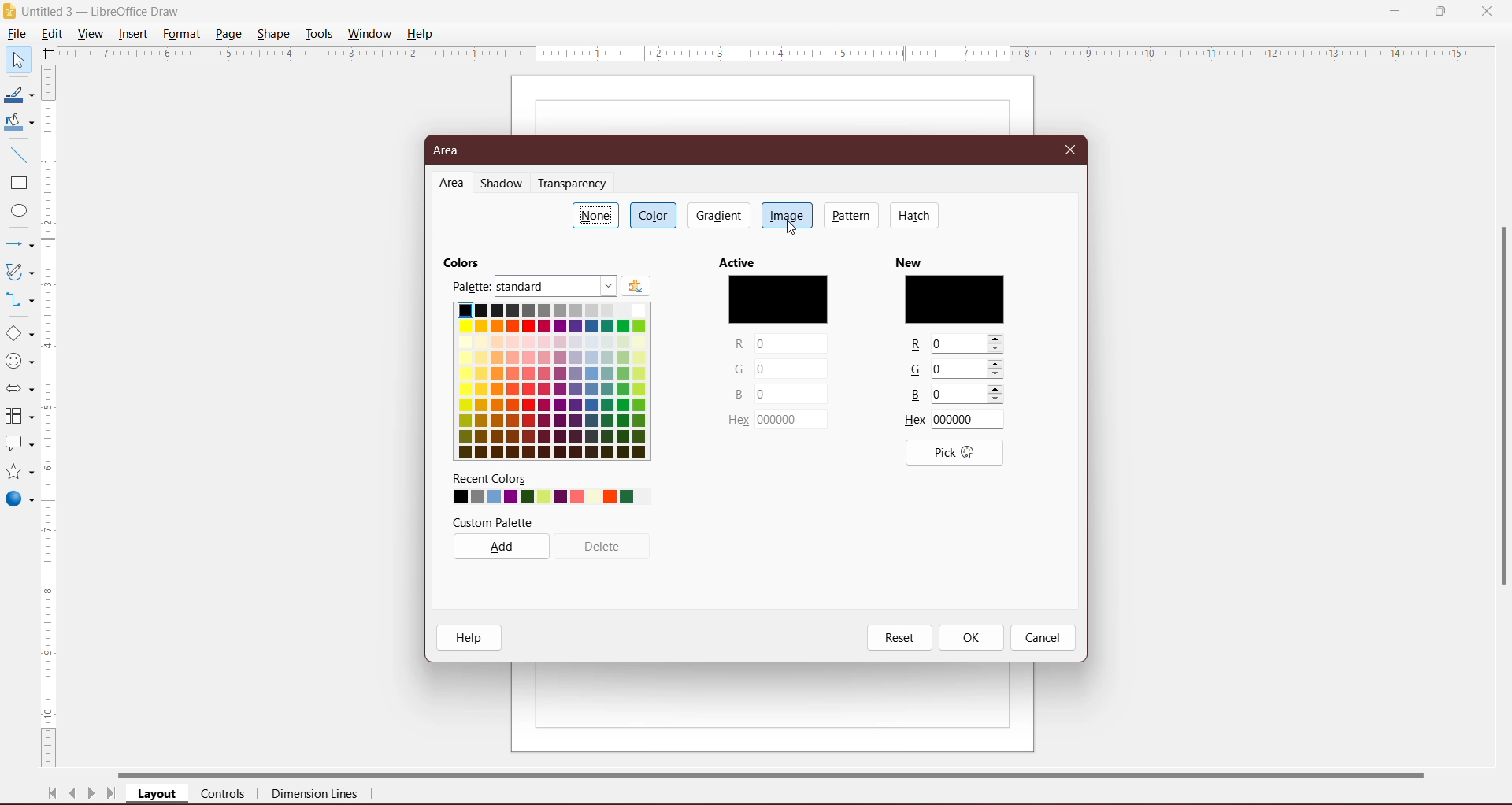 The width and height of the screenshot is (1512, 805). I want to click on Edit, so click(55, 32).